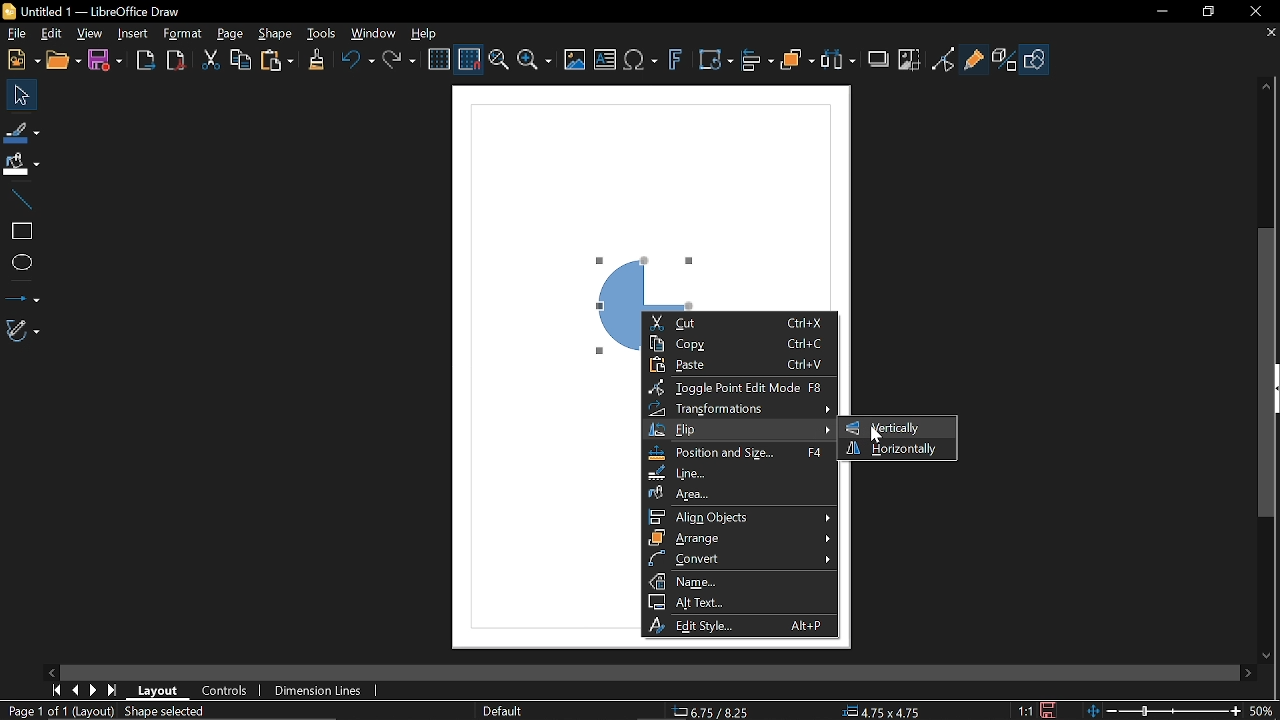 This screenshot has height=720, width=1280. Describe the element at coordinates (1245, 672) in the screenshot. I see `Move right` at that location.